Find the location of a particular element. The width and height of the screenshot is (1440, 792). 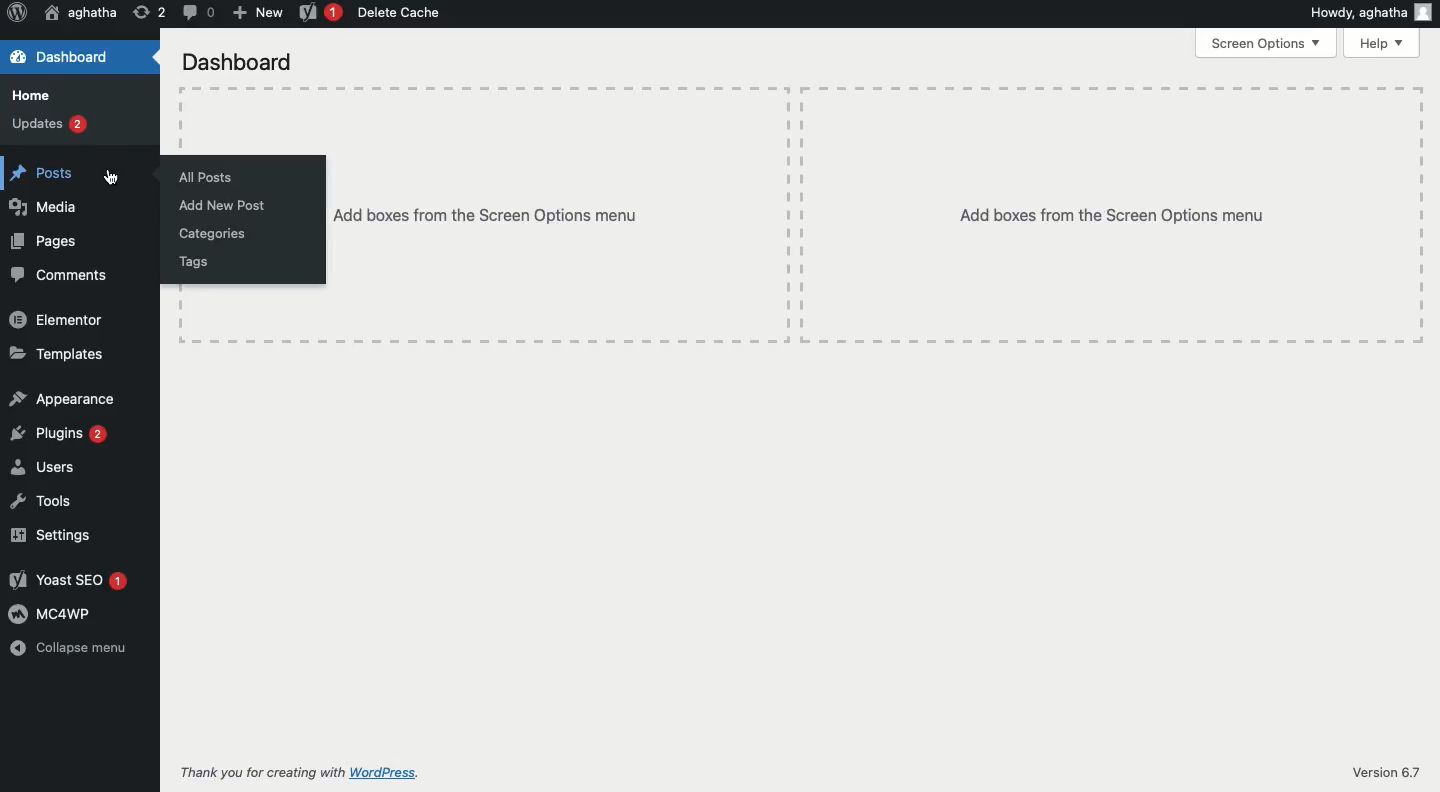

Yoast is located at coordinates (320, 14).